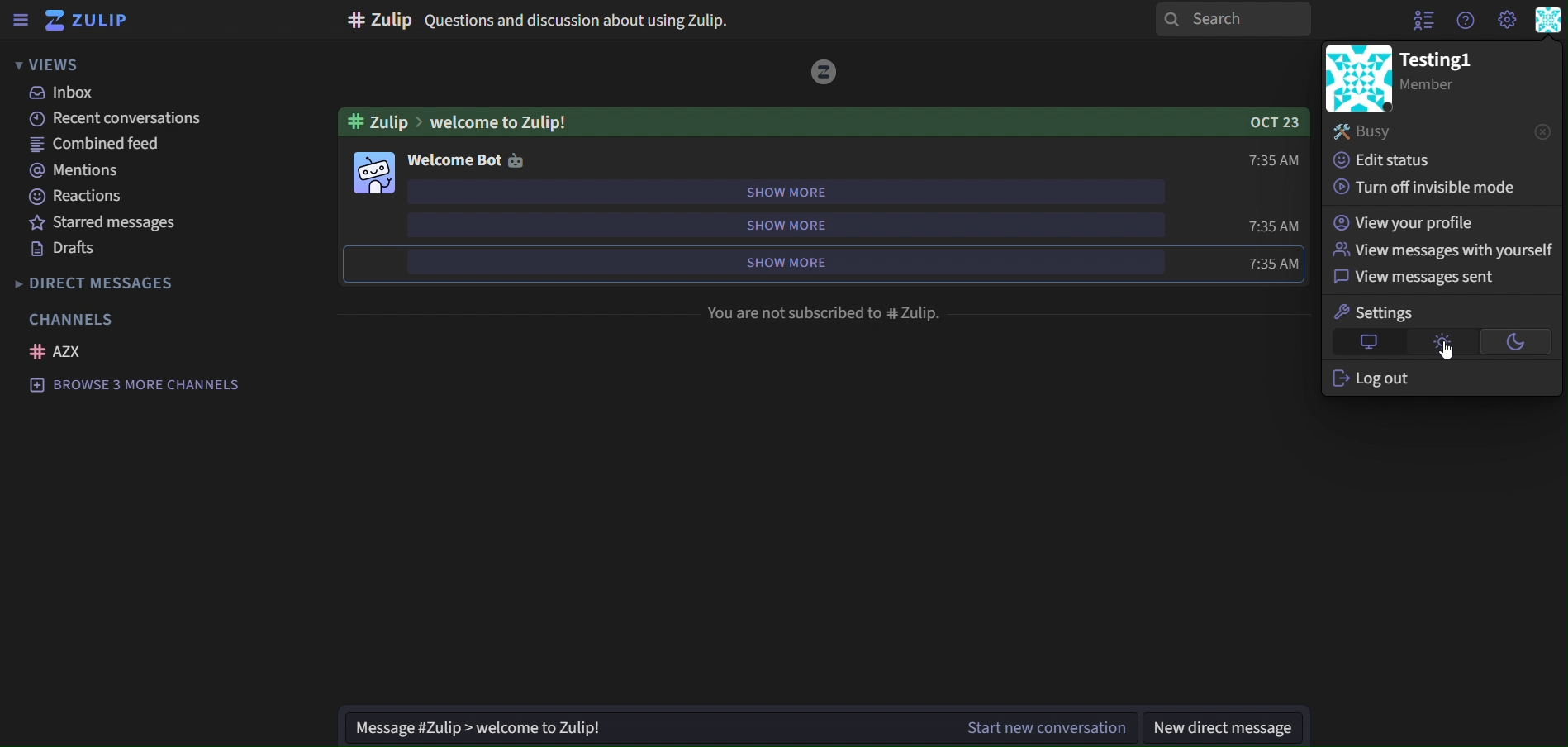  Describe the element at coordinates (1374, 310) in the screenshot. I see `settings` at that location.